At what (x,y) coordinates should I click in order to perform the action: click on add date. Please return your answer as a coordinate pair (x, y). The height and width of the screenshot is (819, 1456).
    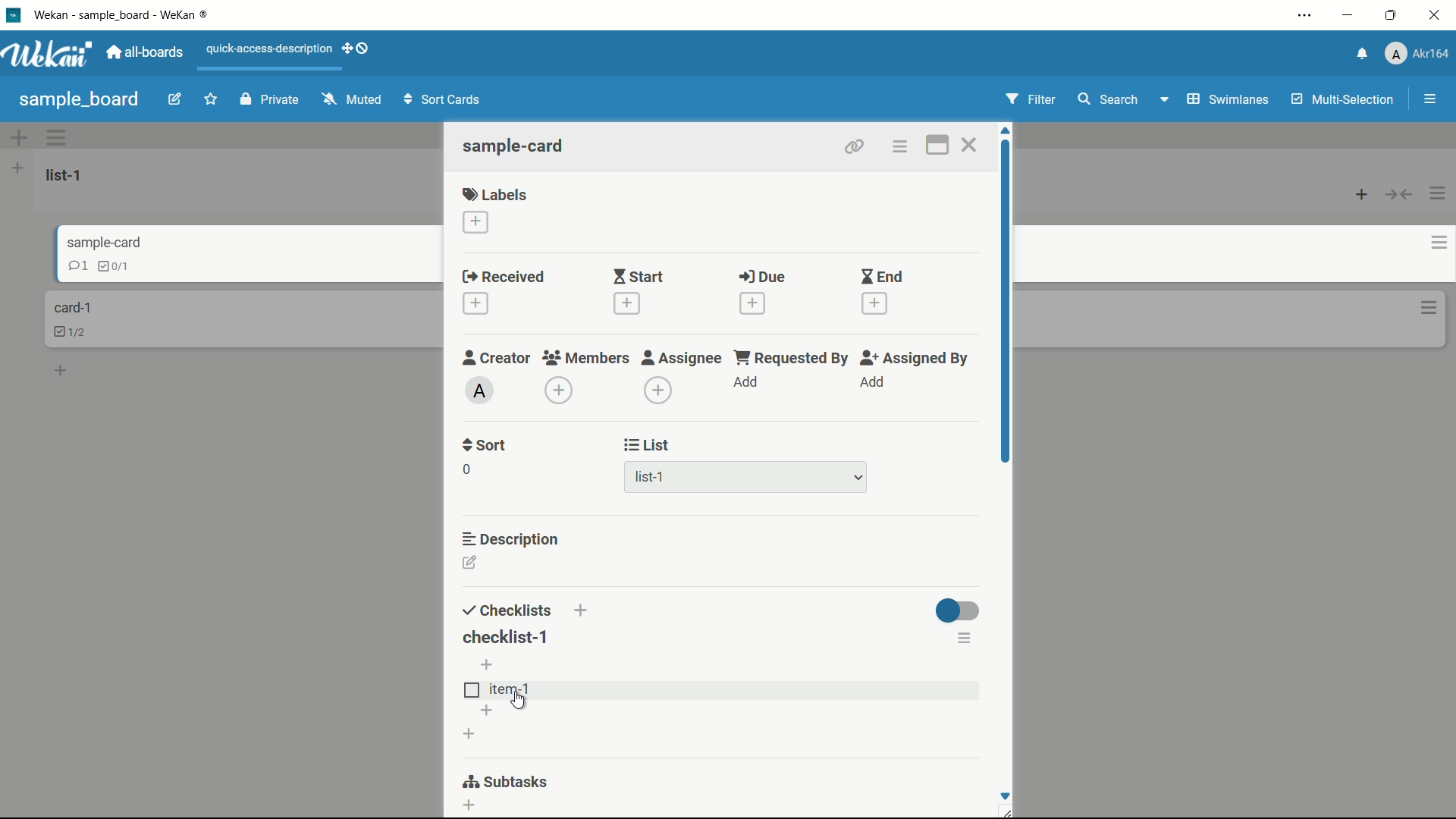
    Looking at the image, I should click on (627, 303).